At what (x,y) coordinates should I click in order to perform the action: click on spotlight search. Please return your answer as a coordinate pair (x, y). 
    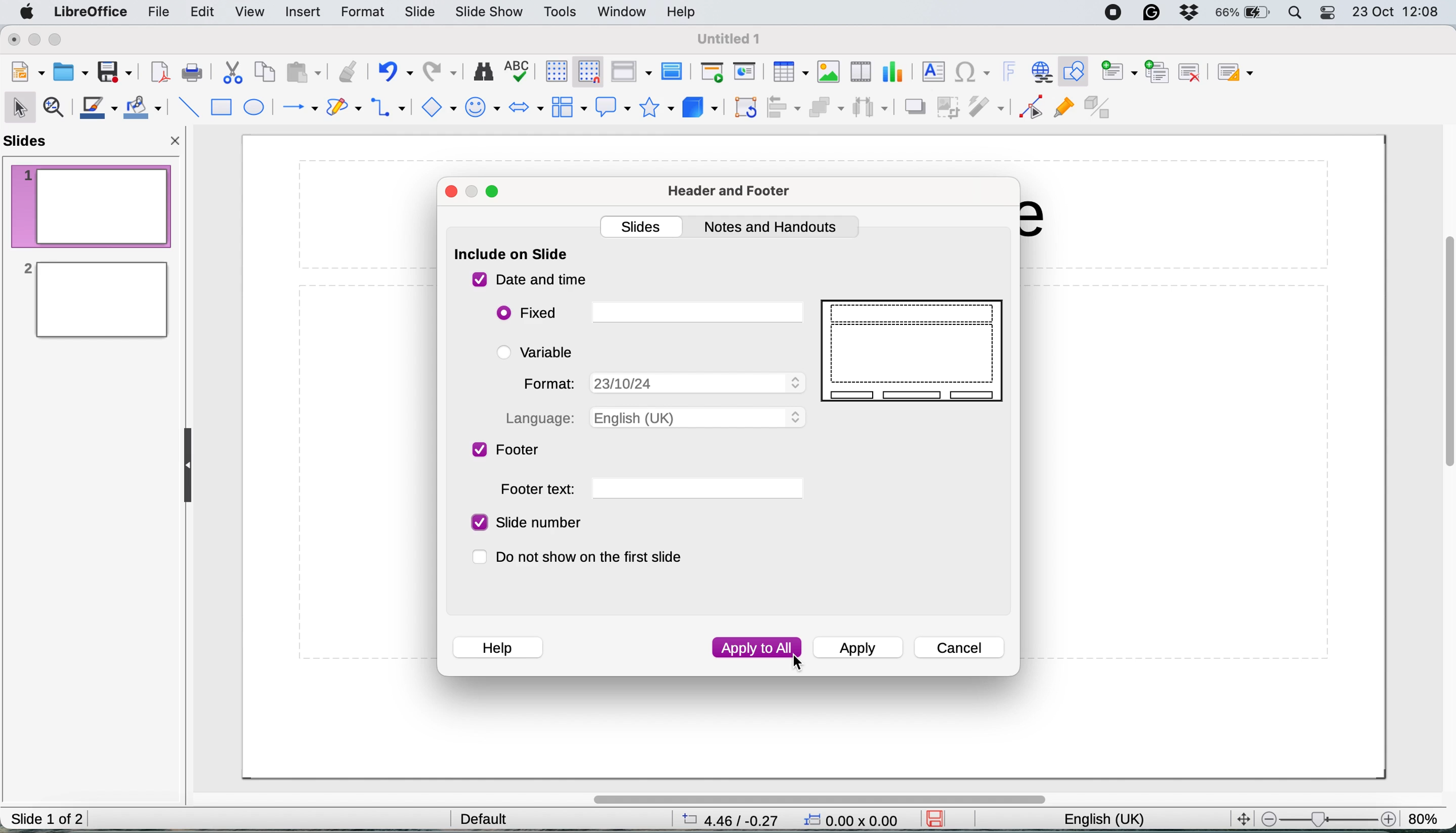
    Looking at the image, I should click on (1296, 13).